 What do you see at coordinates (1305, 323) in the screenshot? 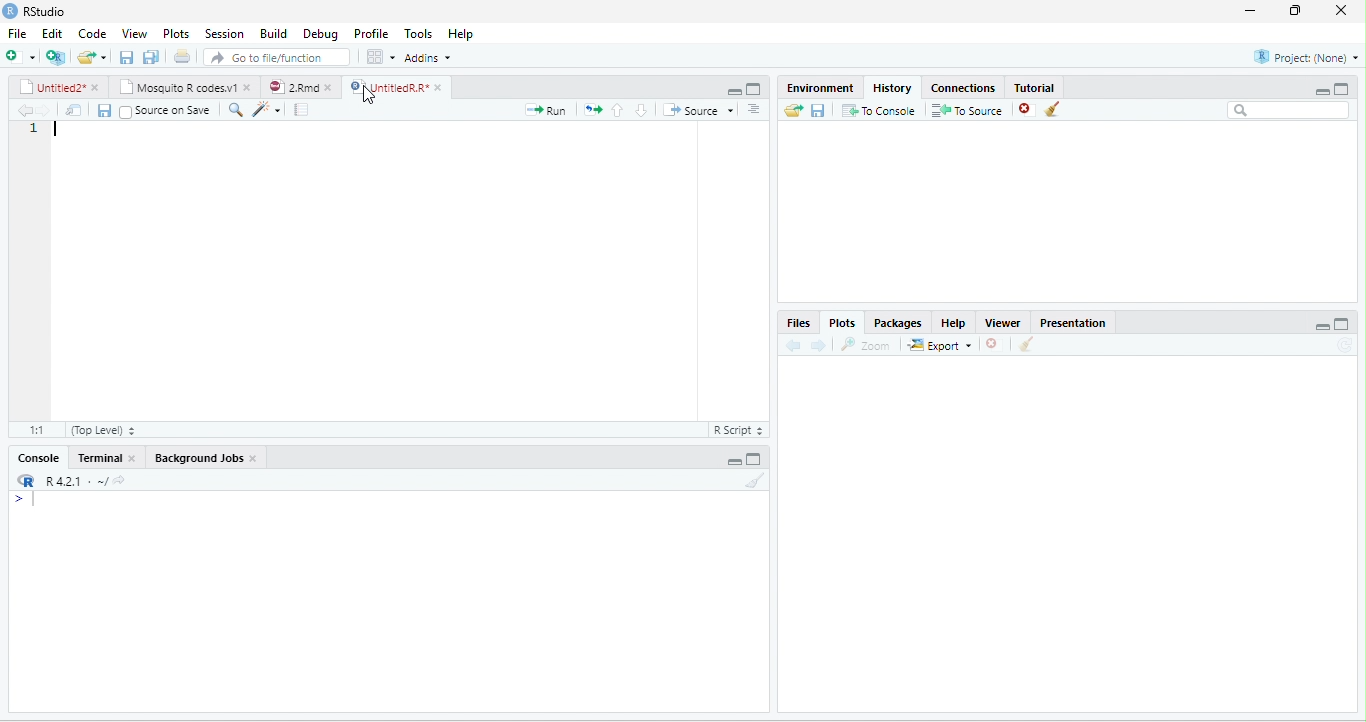
I see `` at bounding box center [1305, 323].